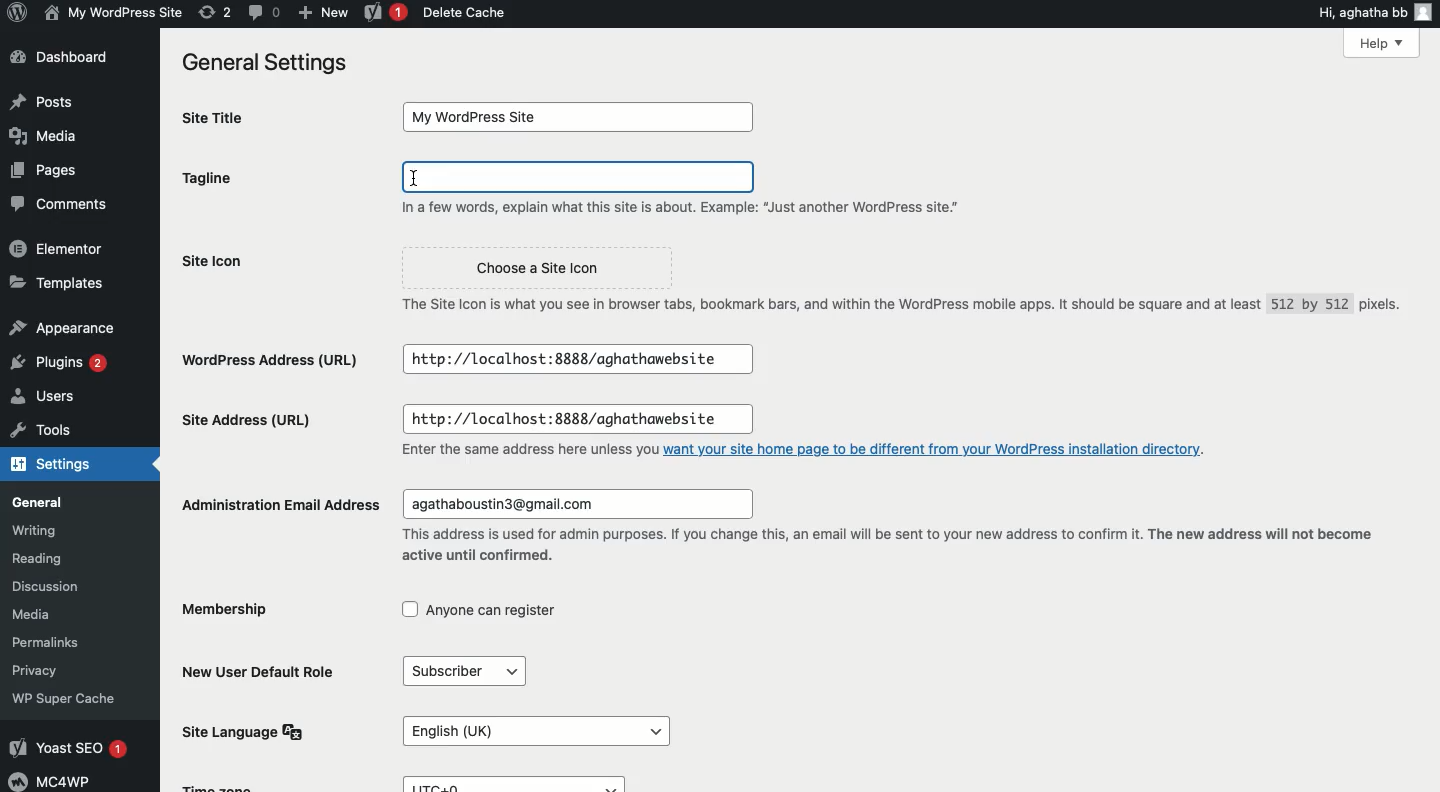 This screenshot has height=792, width=1440. Describe the element at coordinates (263, 12) in the screenshot. I see `(0) Comment` at that location.